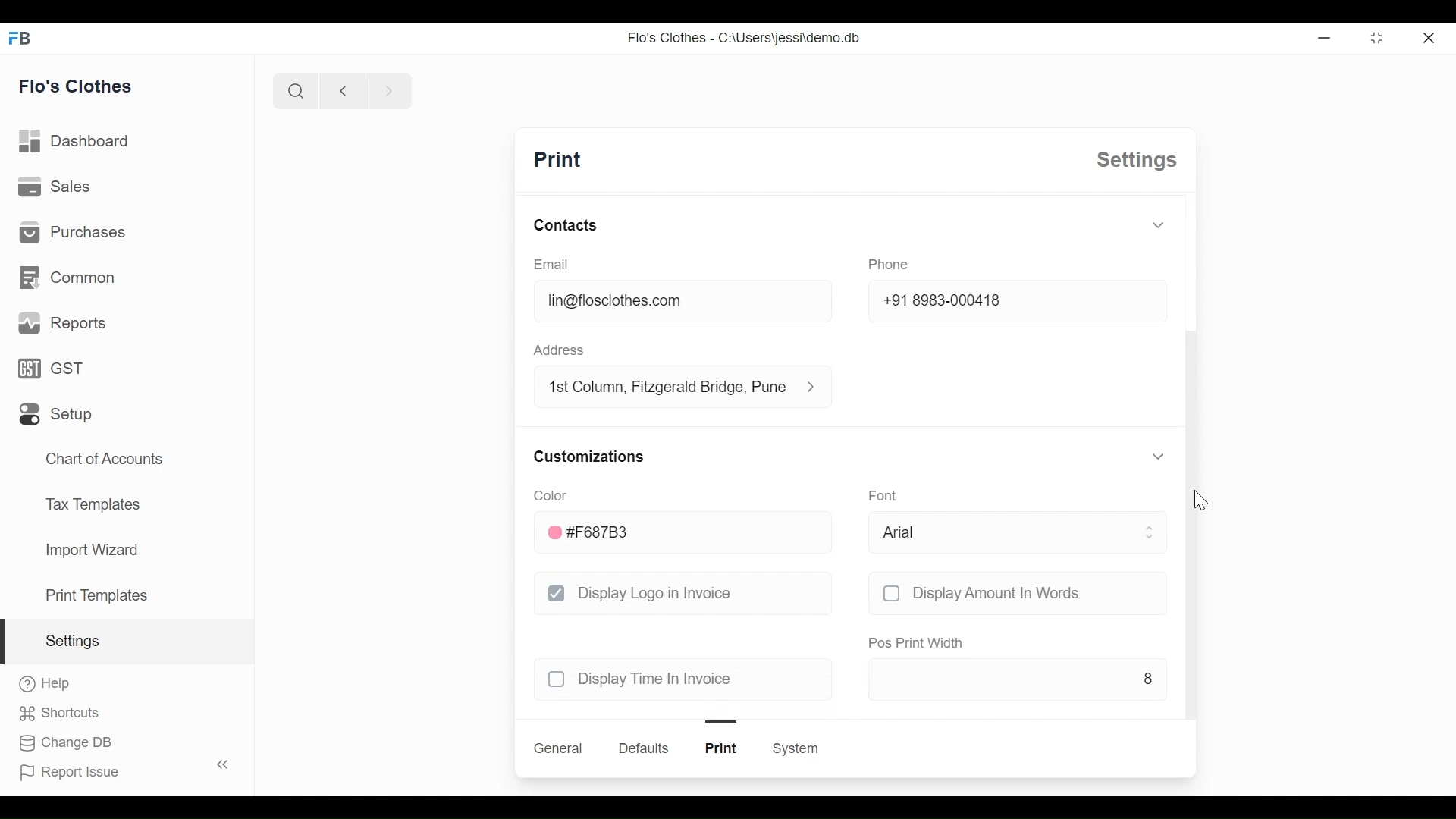 The height and width of the screenshot is (819, 1456). I want to click on chart of accounts, so click(106, 460).